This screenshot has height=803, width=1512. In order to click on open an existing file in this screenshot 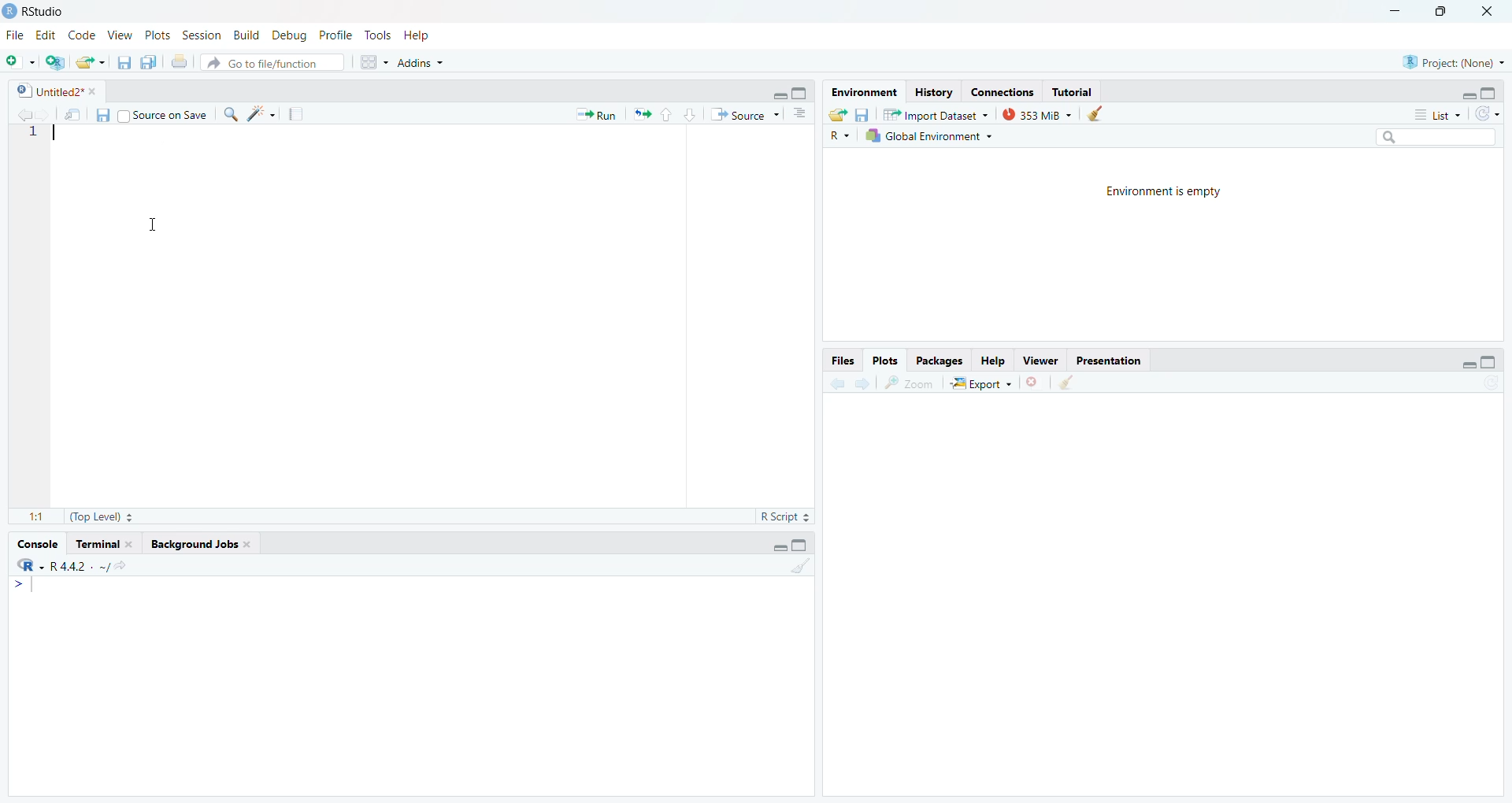, I will do `click(91, 62)`.